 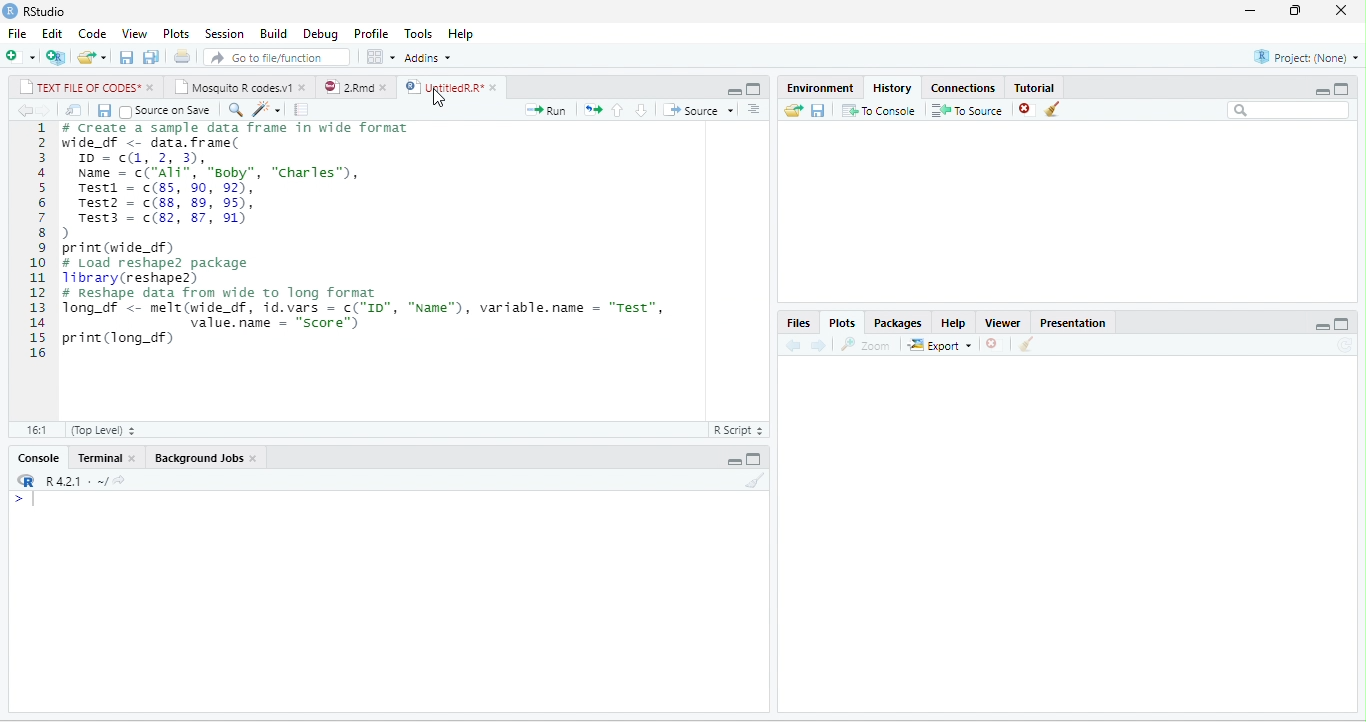 I want to click on refresh, so click(x=1345, y=345).